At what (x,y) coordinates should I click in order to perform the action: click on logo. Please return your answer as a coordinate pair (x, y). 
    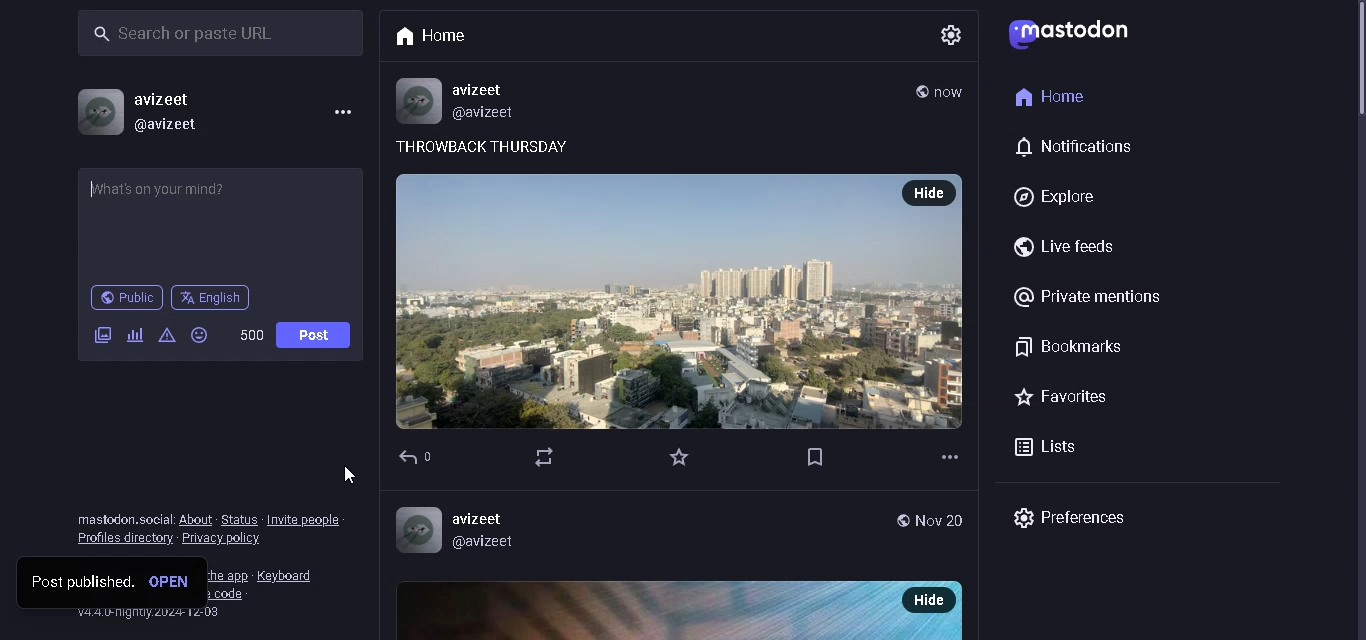
    Looking at the image, I should click on (1075, 33).